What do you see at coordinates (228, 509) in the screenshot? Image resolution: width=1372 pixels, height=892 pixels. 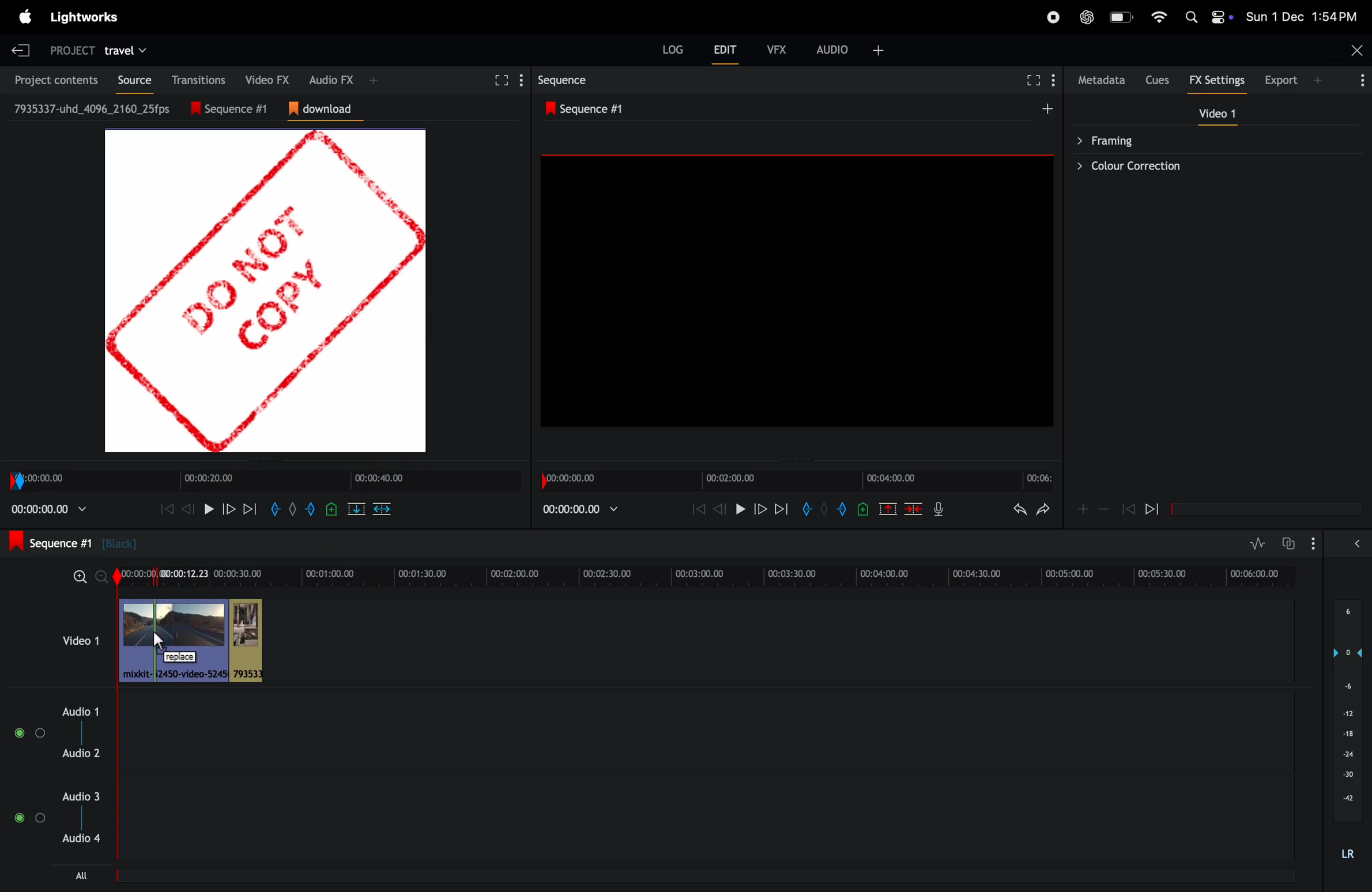 I see `forward` at bounding box center [228, 509].